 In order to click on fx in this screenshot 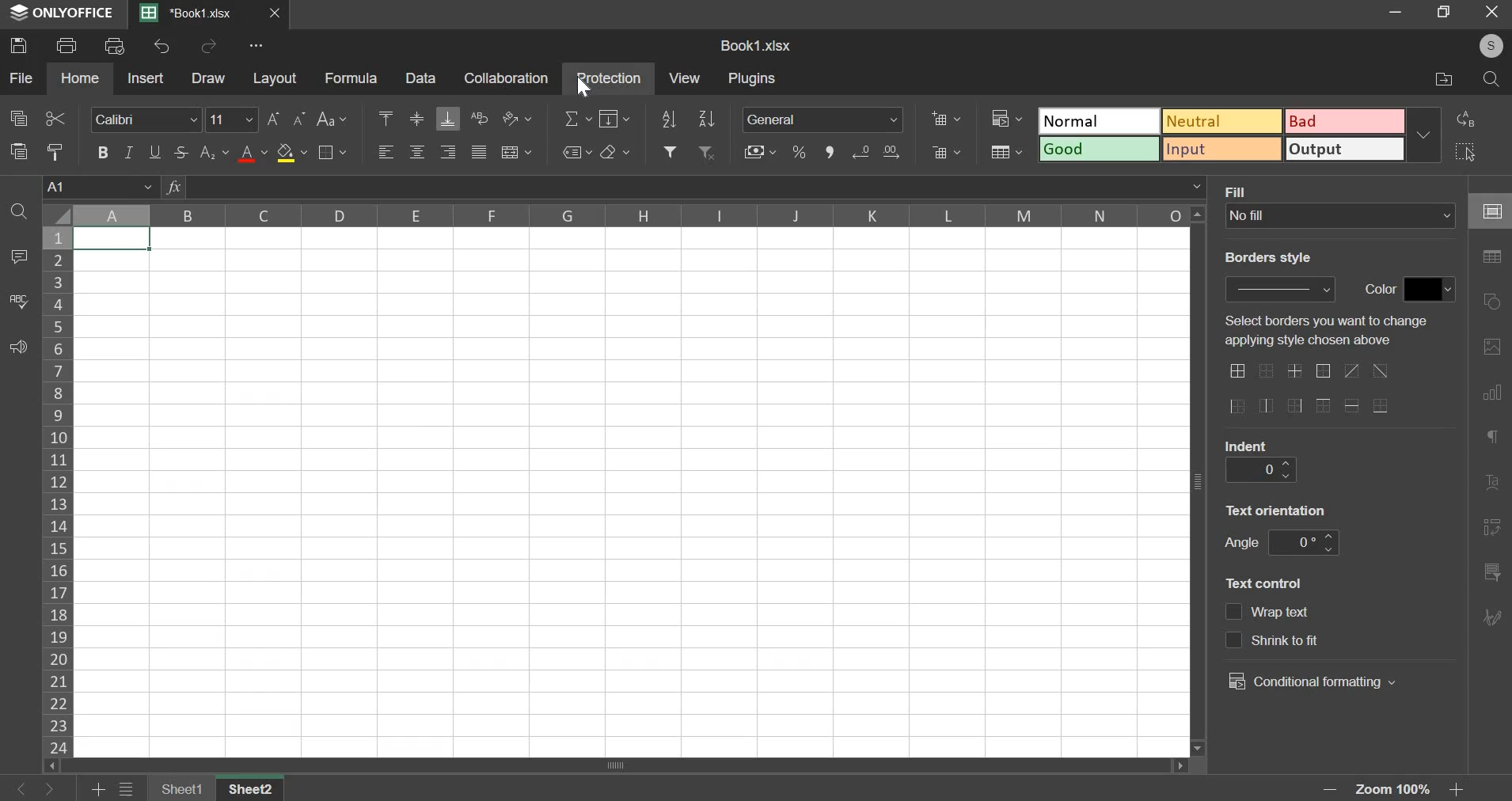, I will do `click(173, 187)`.